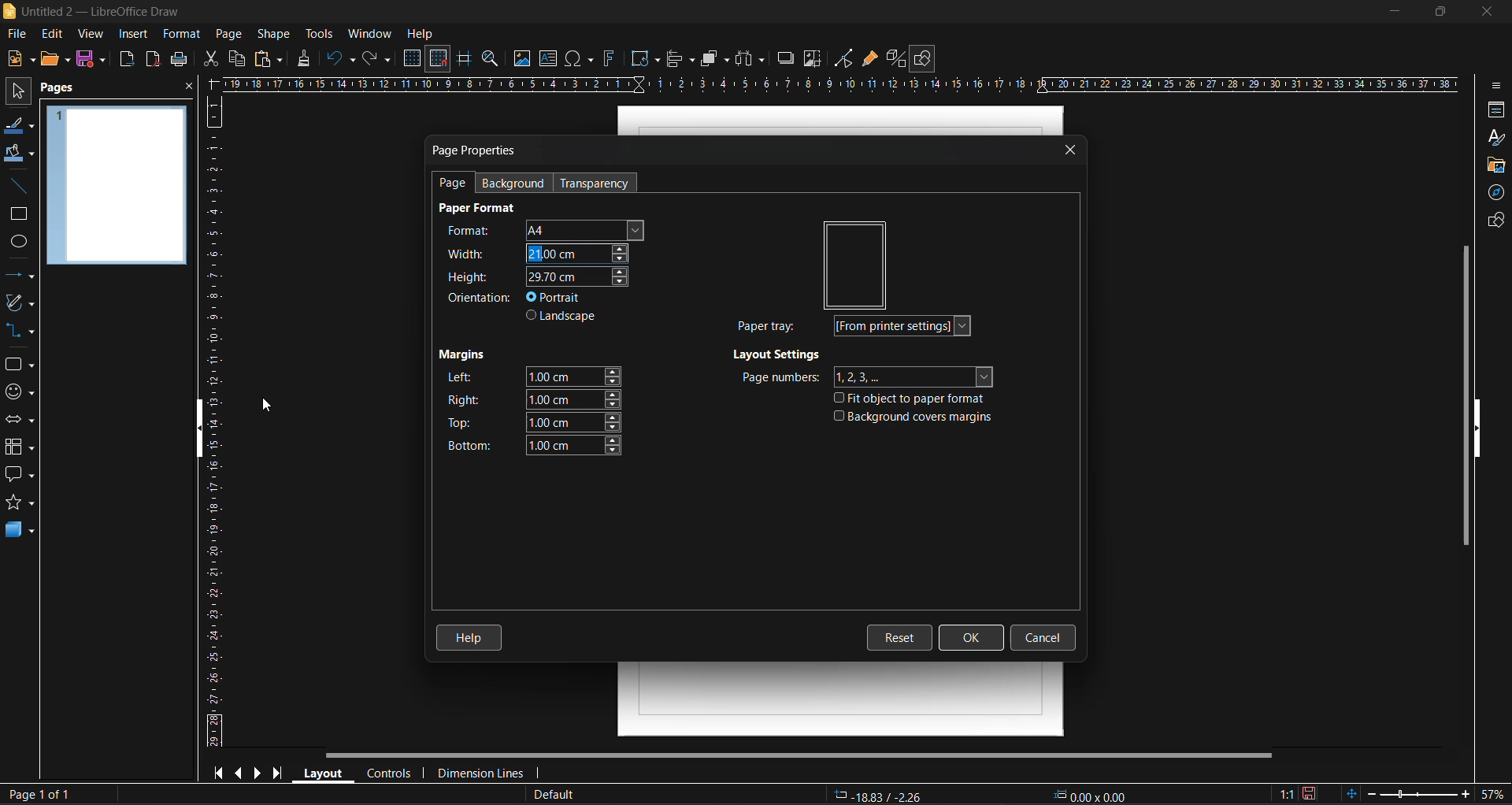 This screenshot has height=805, width=1512. I want to click on lines and arrows, so click(20, 276).